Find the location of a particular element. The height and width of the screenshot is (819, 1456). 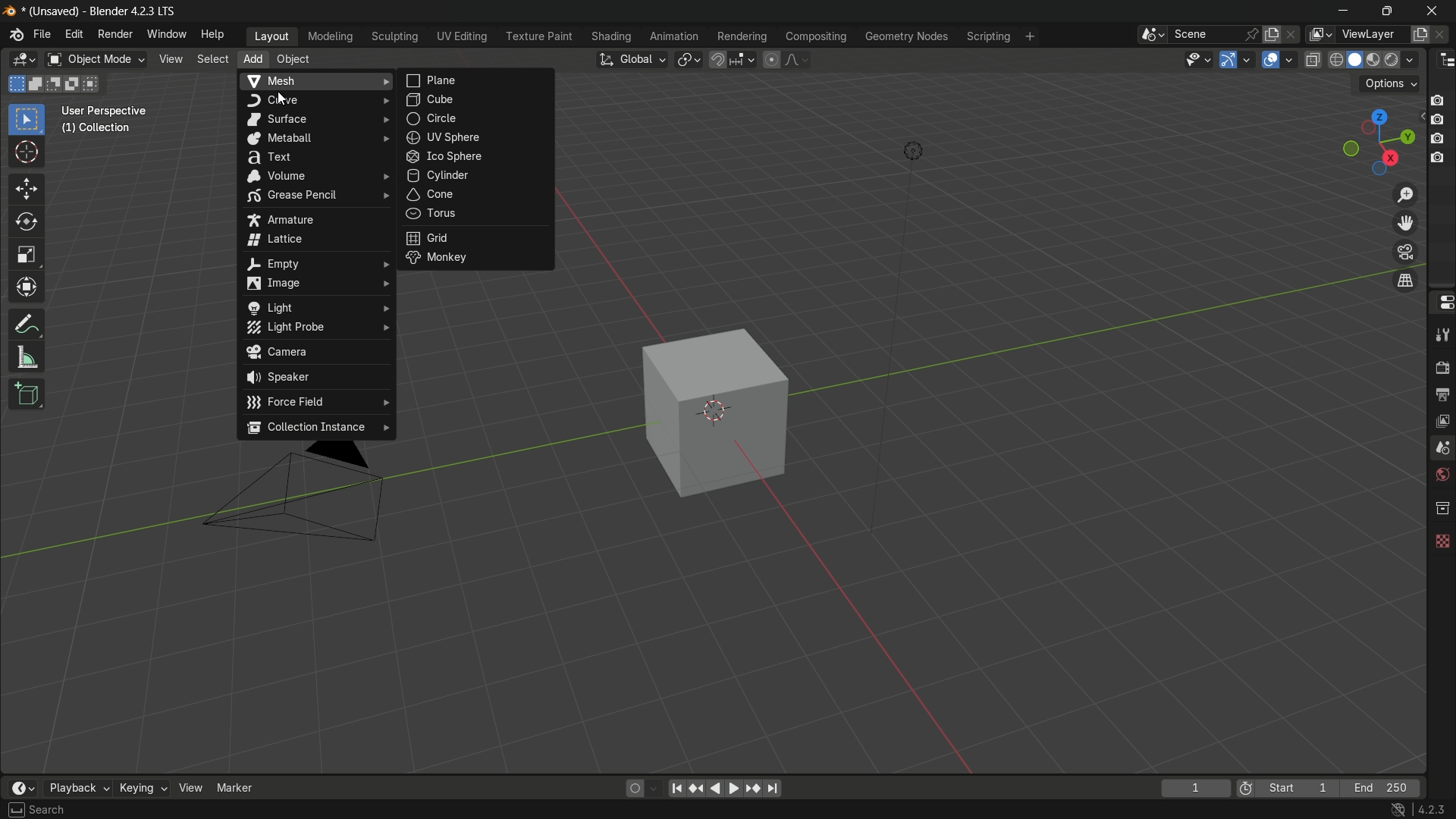

toggle the camera view is located at coordinates (1405, 252).